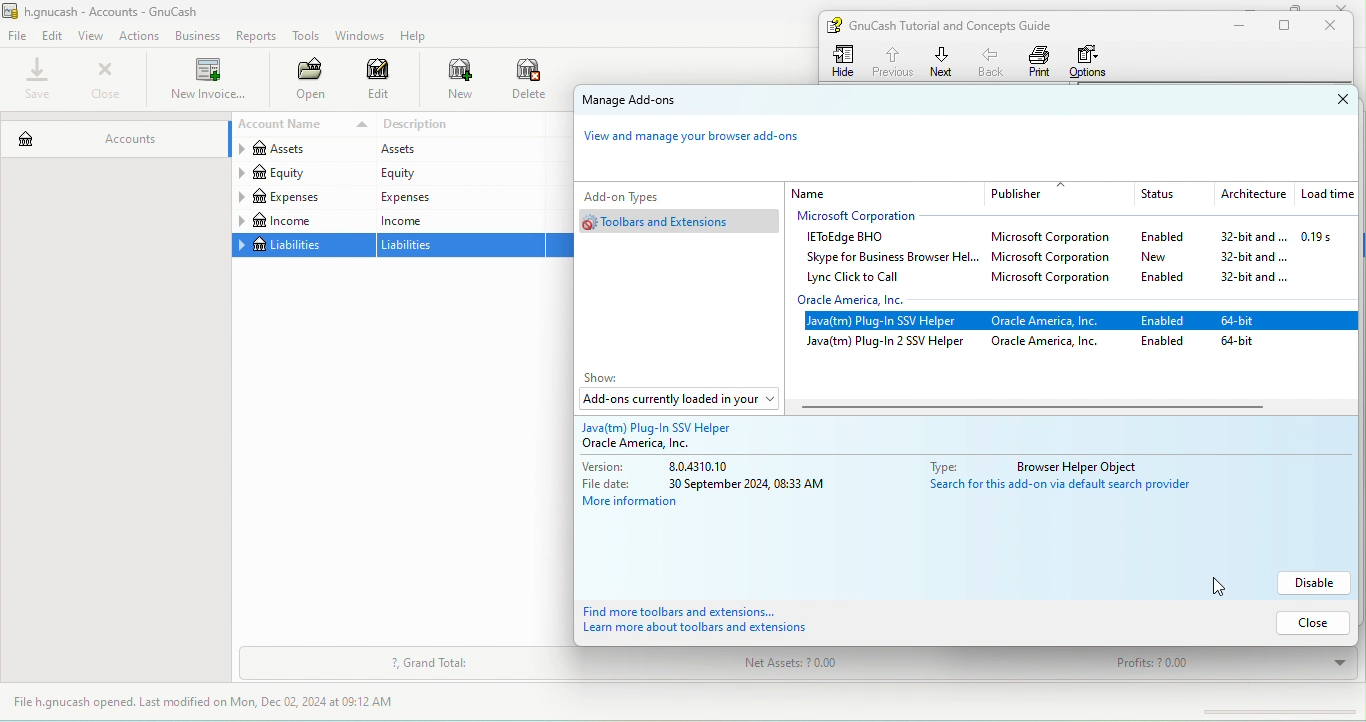  I want to click on enabled, so click(1170, 276).